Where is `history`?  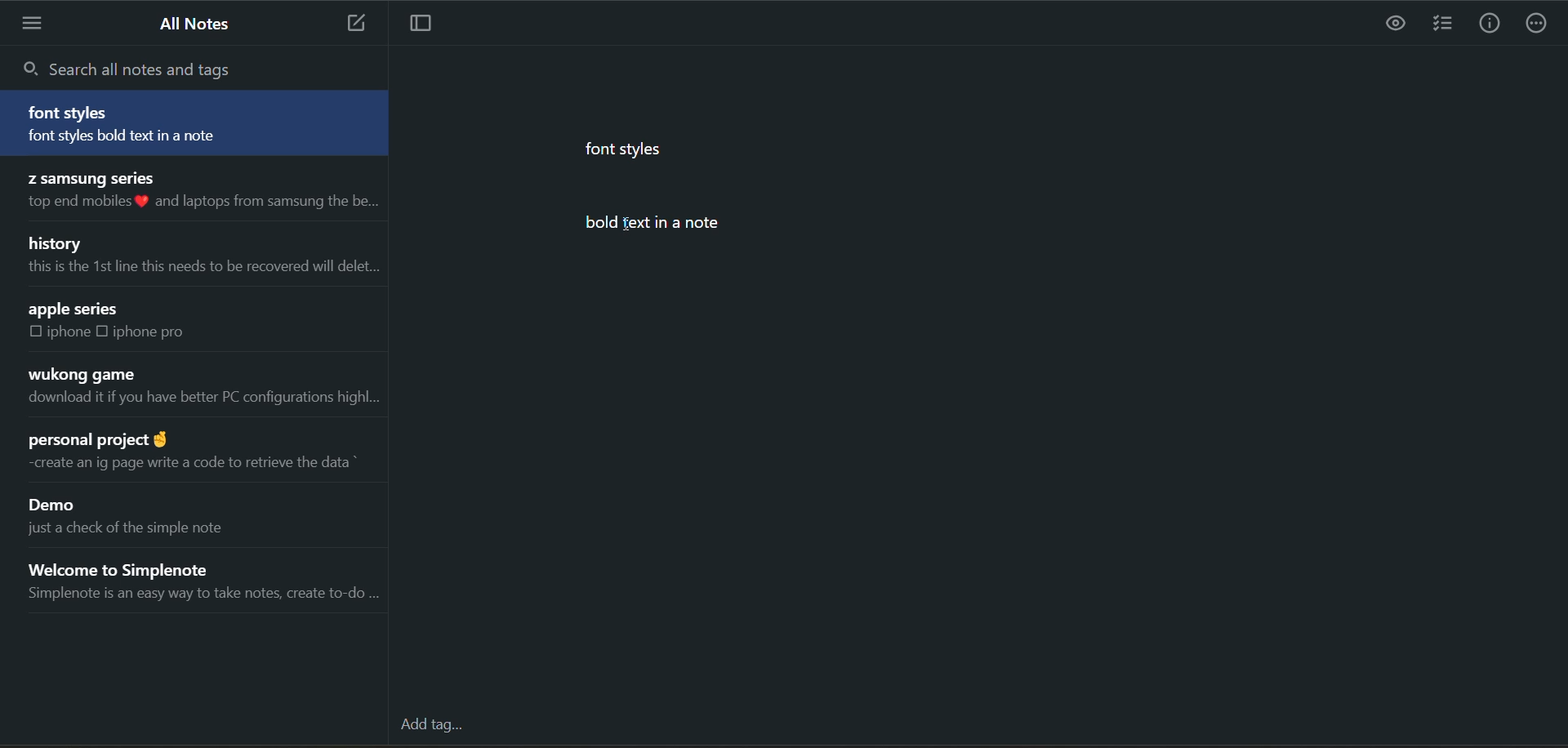 history is located at coordinates (58, 242).